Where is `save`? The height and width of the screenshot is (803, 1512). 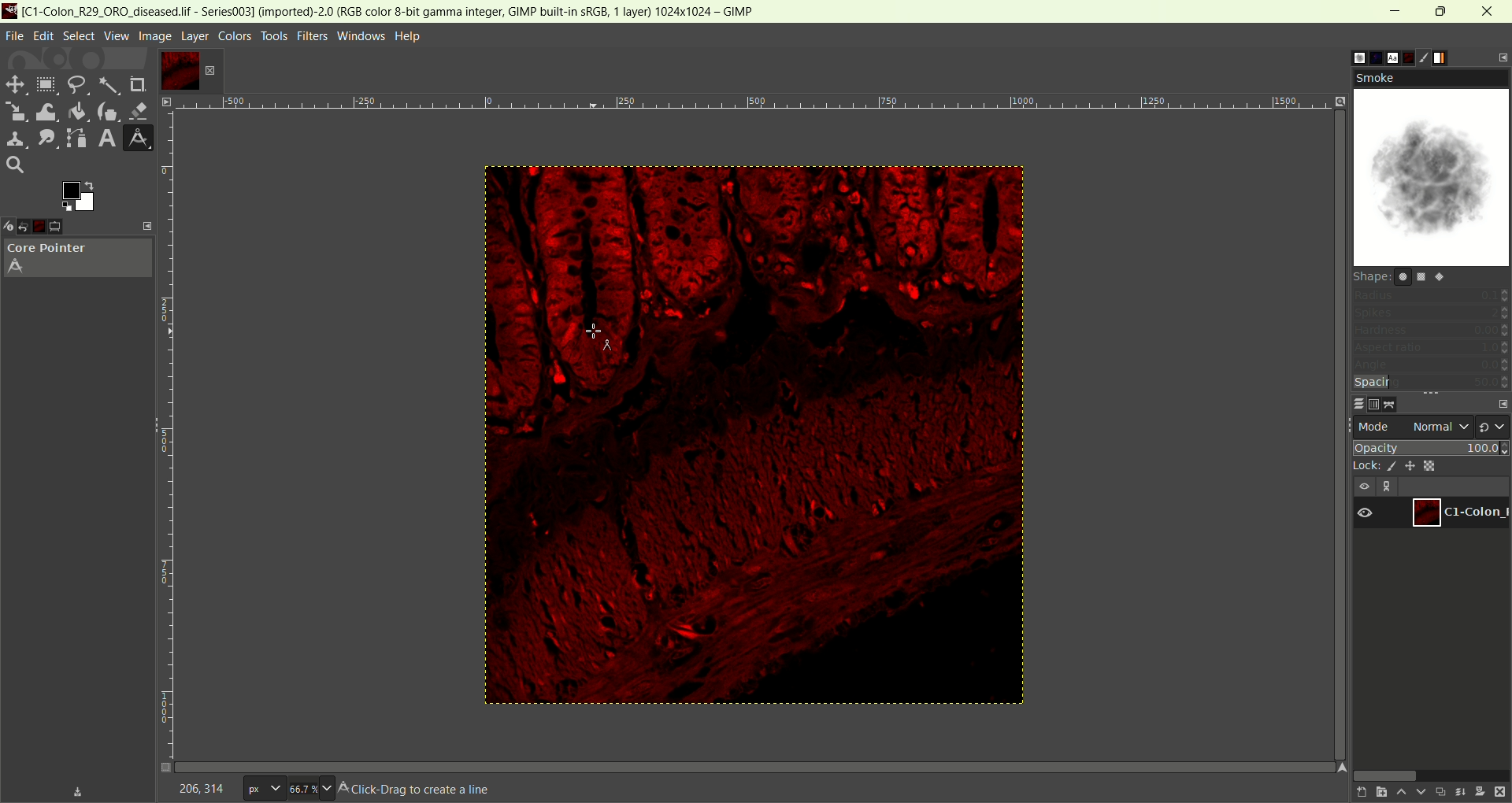
save is located at coordinates (78, 792).